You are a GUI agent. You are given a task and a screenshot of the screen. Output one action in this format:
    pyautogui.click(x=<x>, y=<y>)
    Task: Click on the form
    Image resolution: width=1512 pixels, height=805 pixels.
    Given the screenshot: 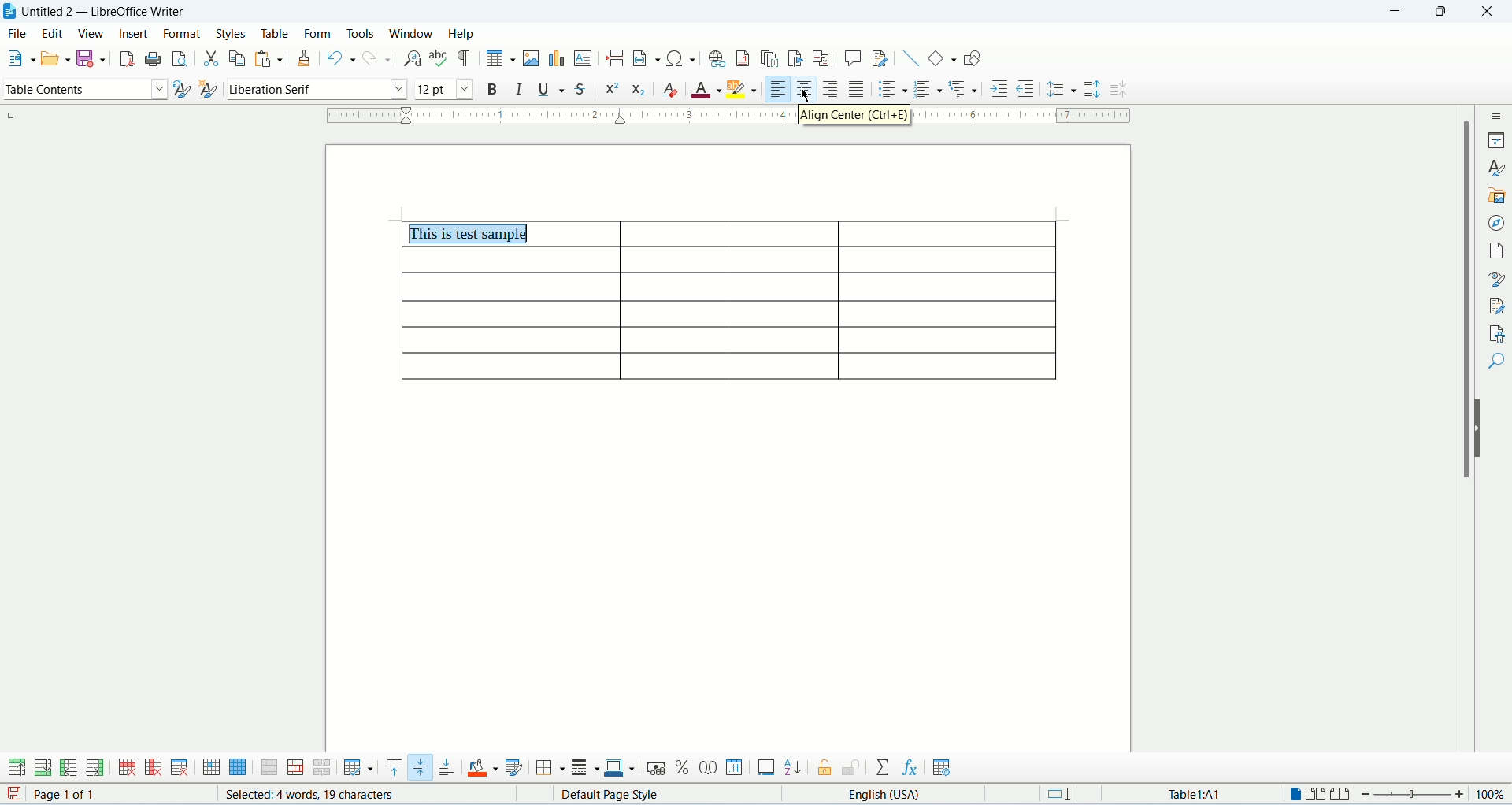 What is the action you would take?
    pyautogui.click(x=322, y=34)
    